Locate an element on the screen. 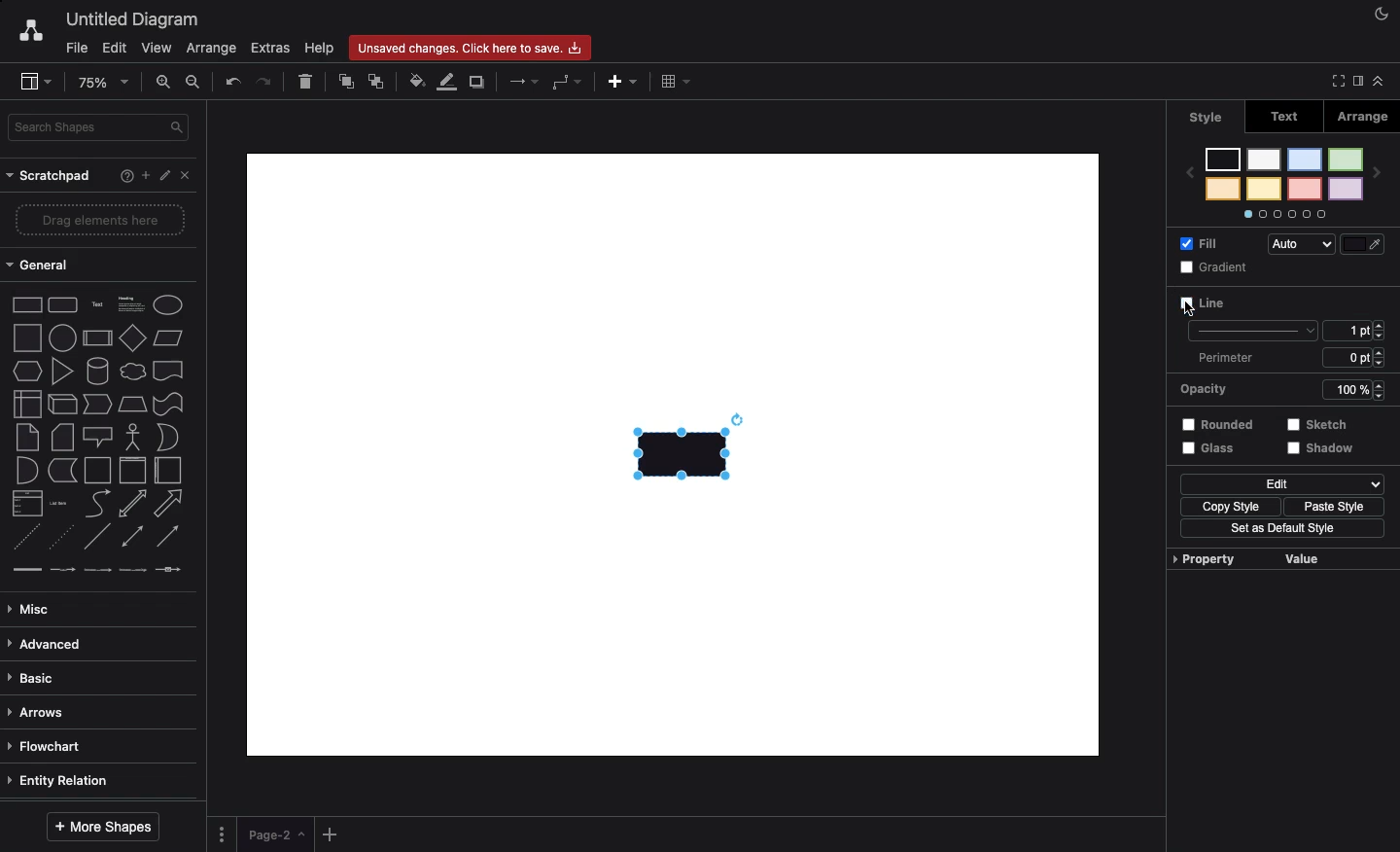 Image resolution: width=1400 pixels, height=852 pixels. curve is located at coordinates (98, 505).